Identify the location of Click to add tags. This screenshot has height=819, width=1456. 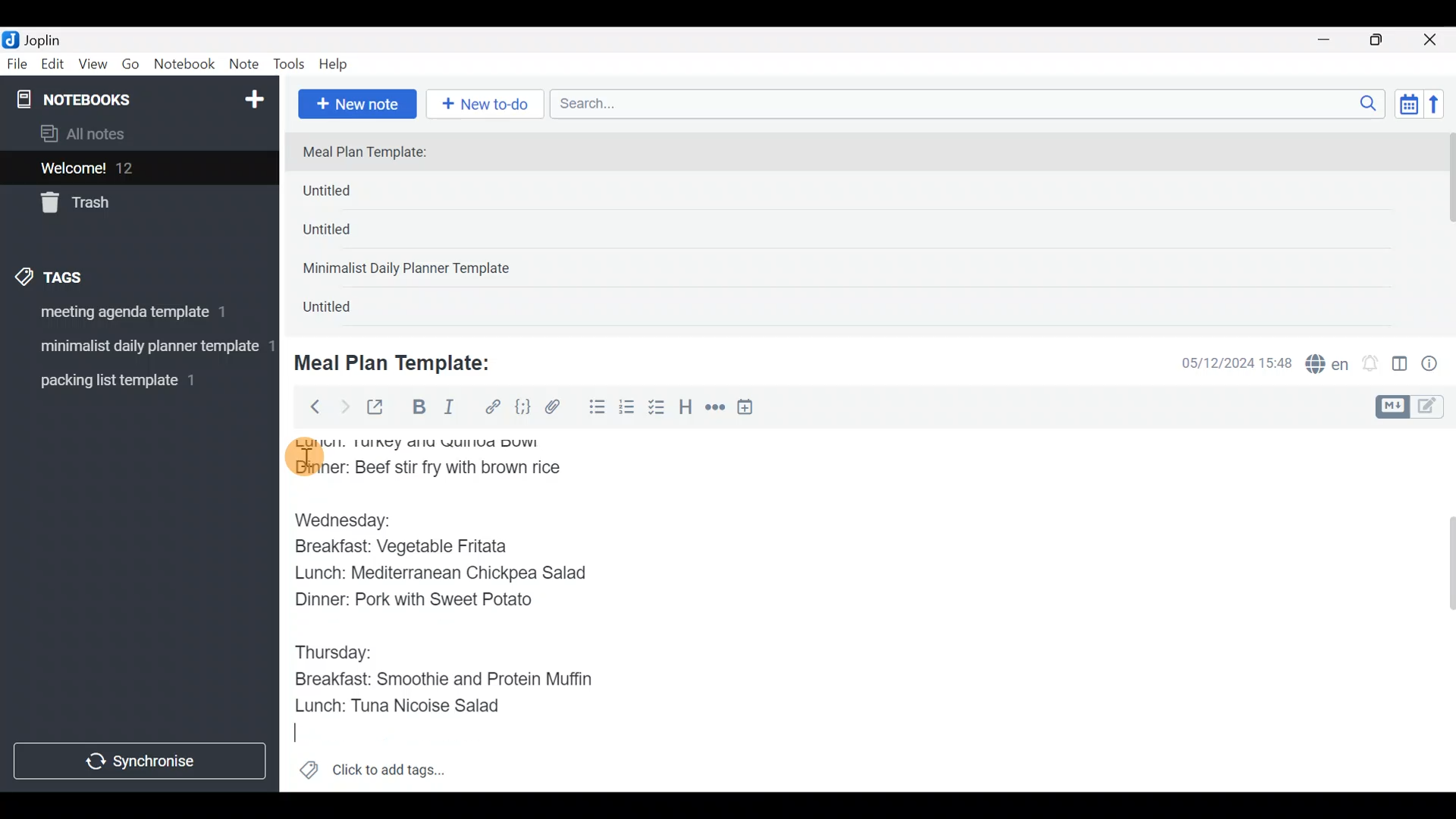
(372, 775).